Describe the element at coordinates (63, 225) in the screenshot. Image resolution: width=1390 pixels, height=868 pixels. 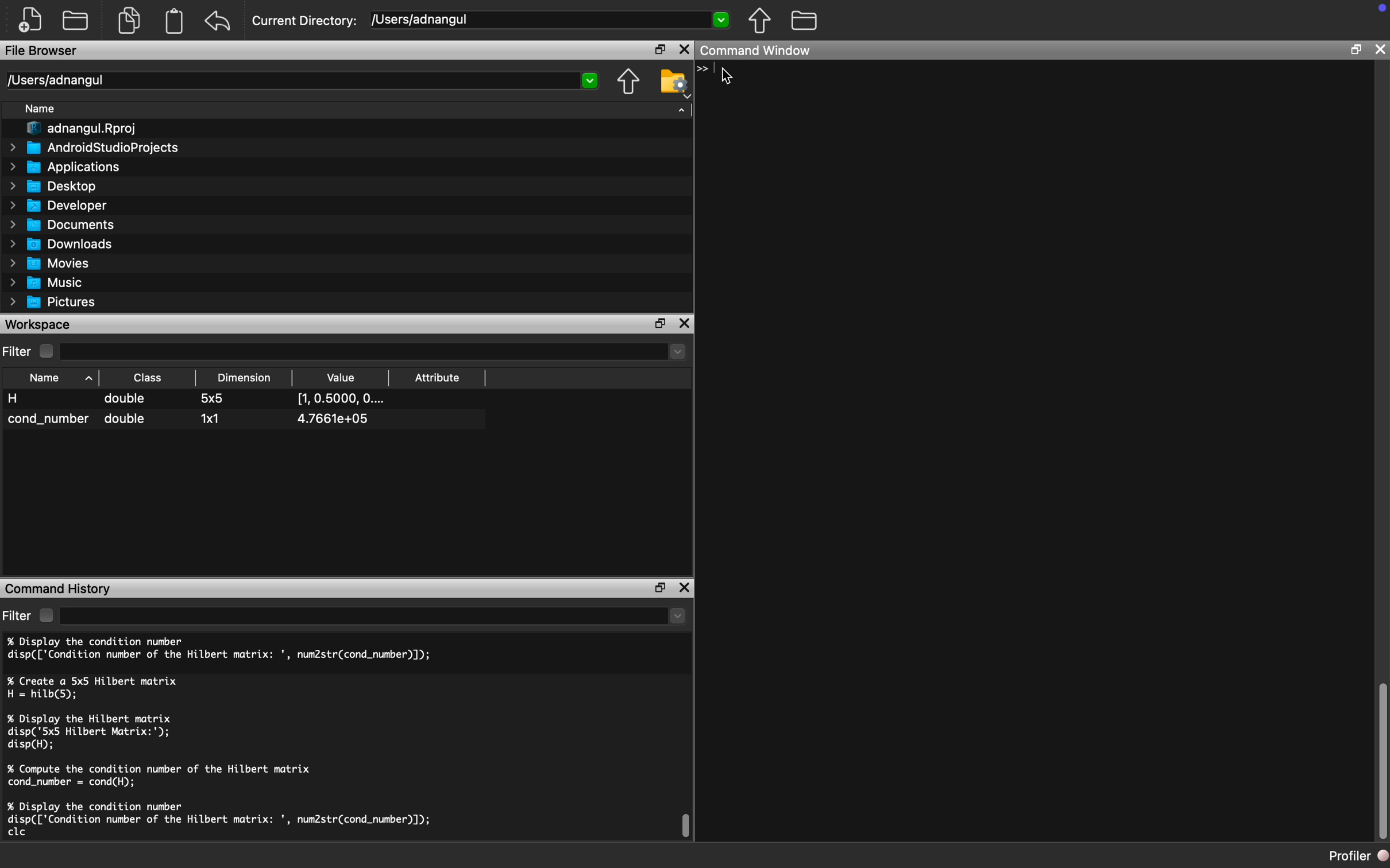
I see `Documents` at that location.